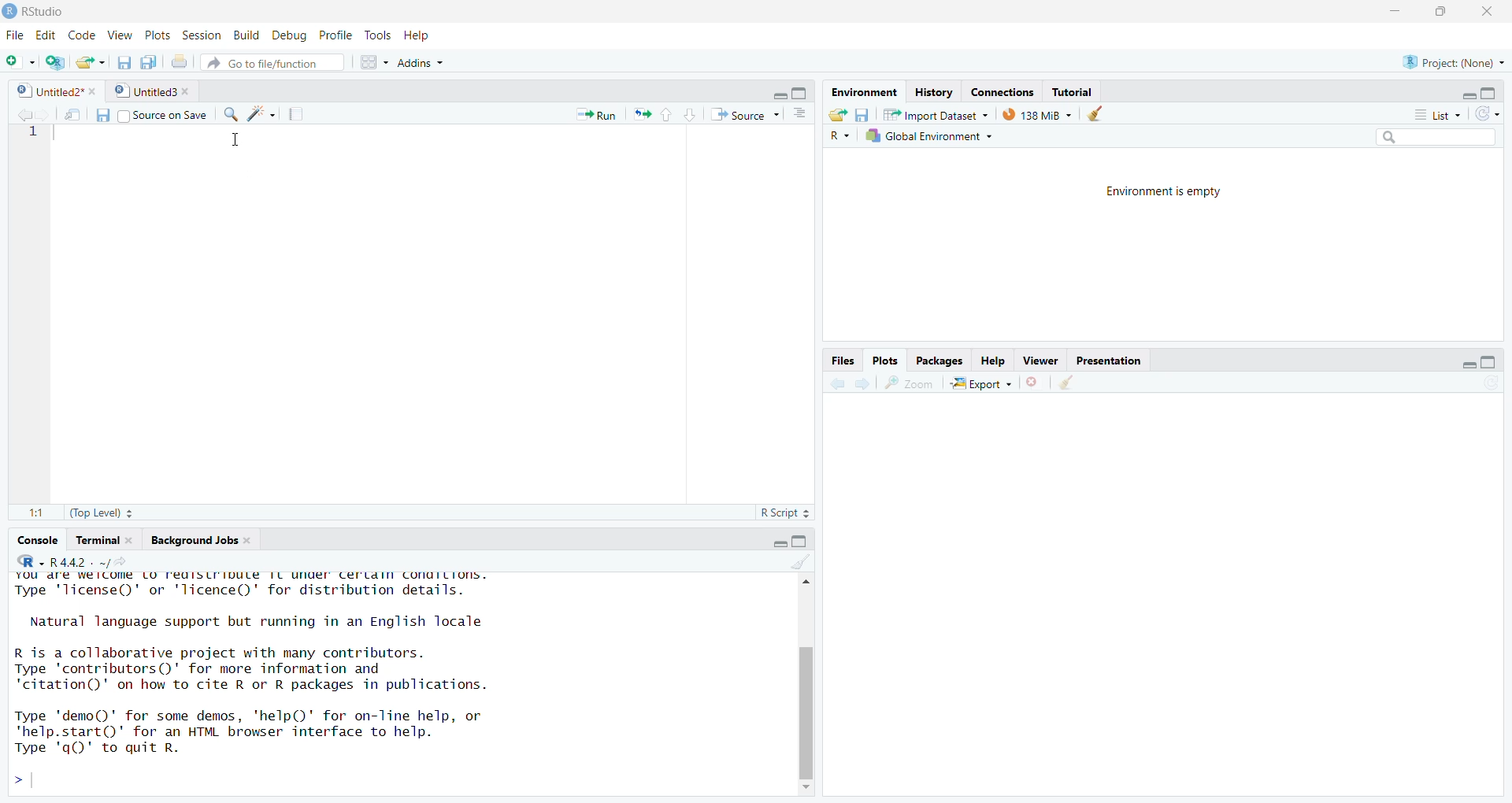 Image resolution: width=1512 pixels, height=803 pixels. I want to click on Zoom, so click(914, 383).